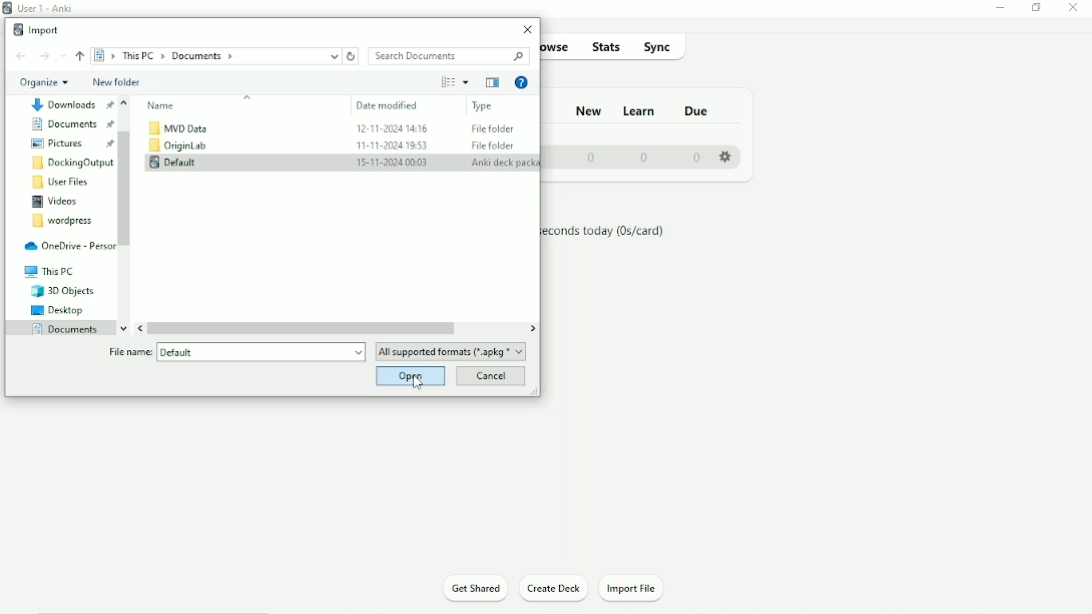  I want to click on Learn, so click(641, 111).